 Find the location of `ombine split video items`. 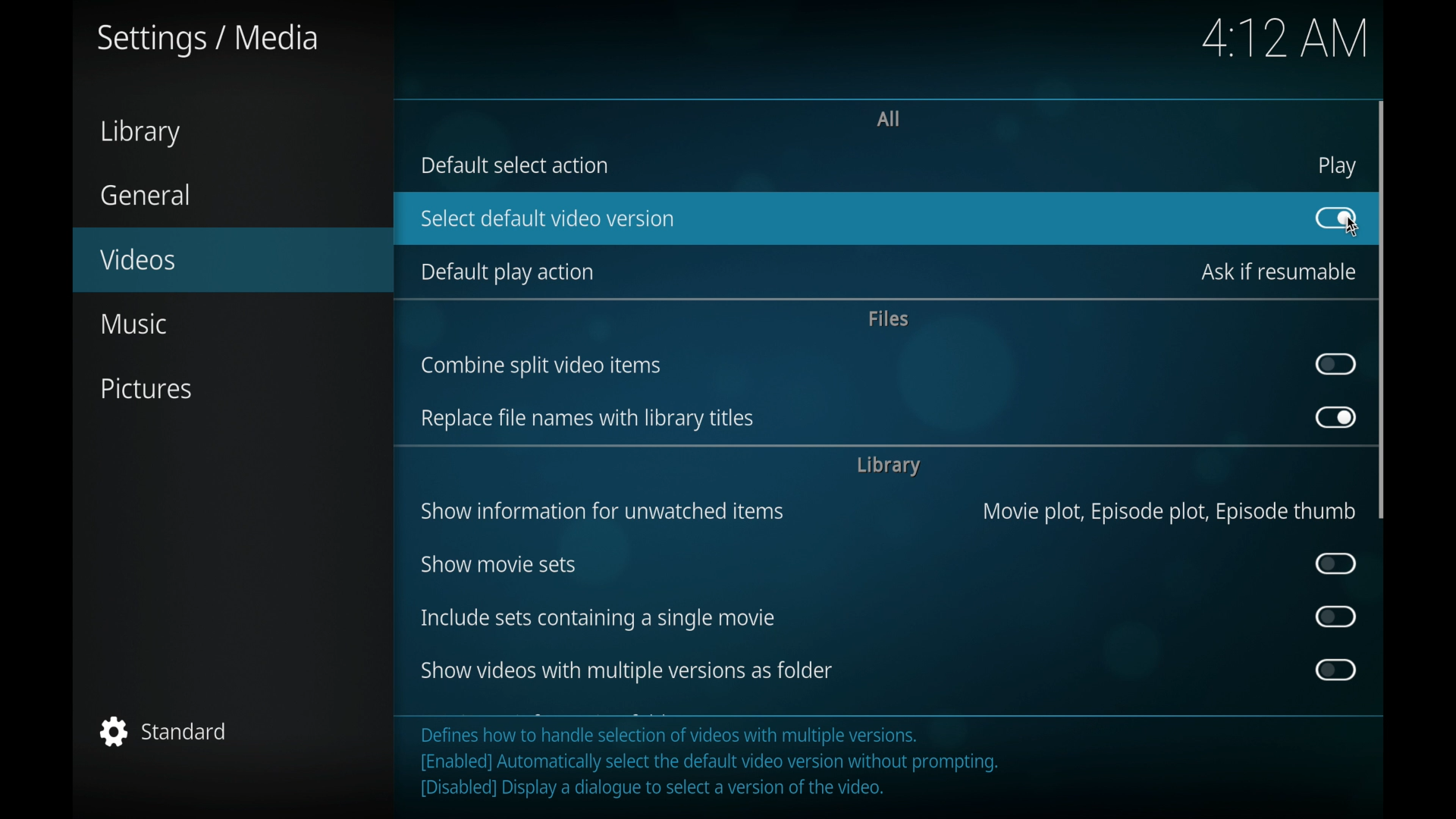

ombine split video items is located at coordinates (541, 367).